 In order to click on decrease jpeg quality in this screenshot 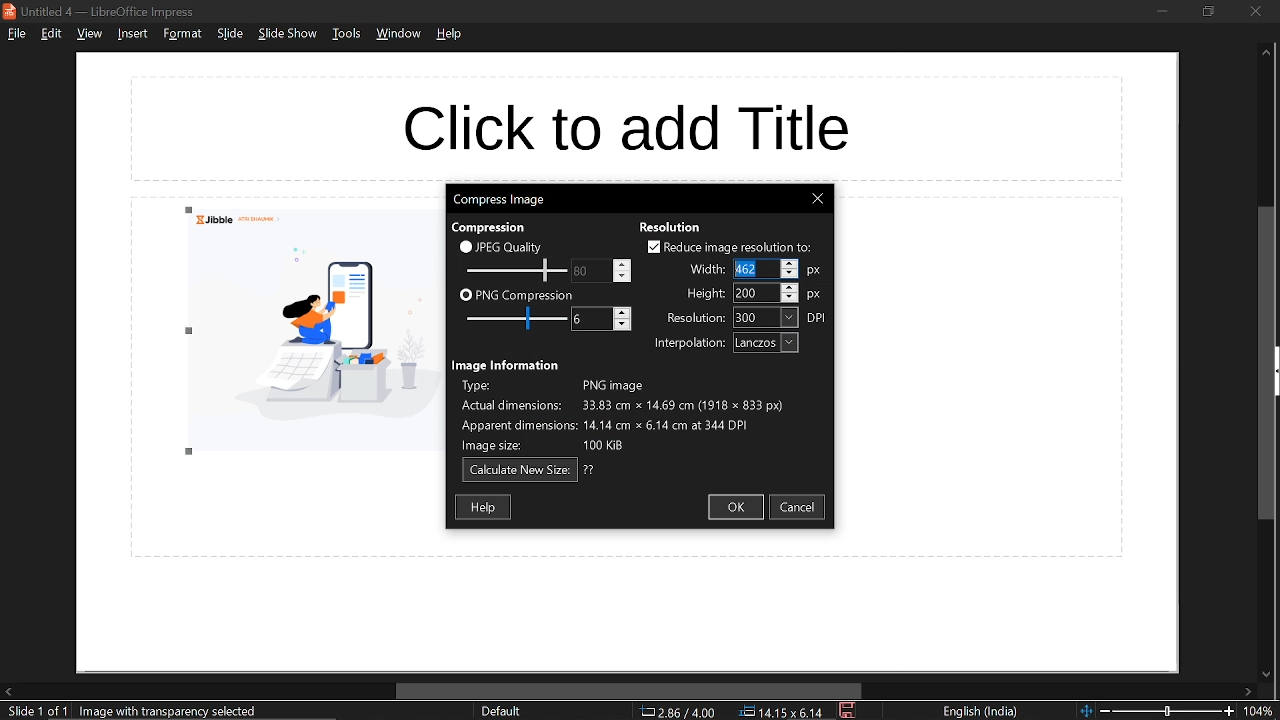, I will do `click(621, 276)`.